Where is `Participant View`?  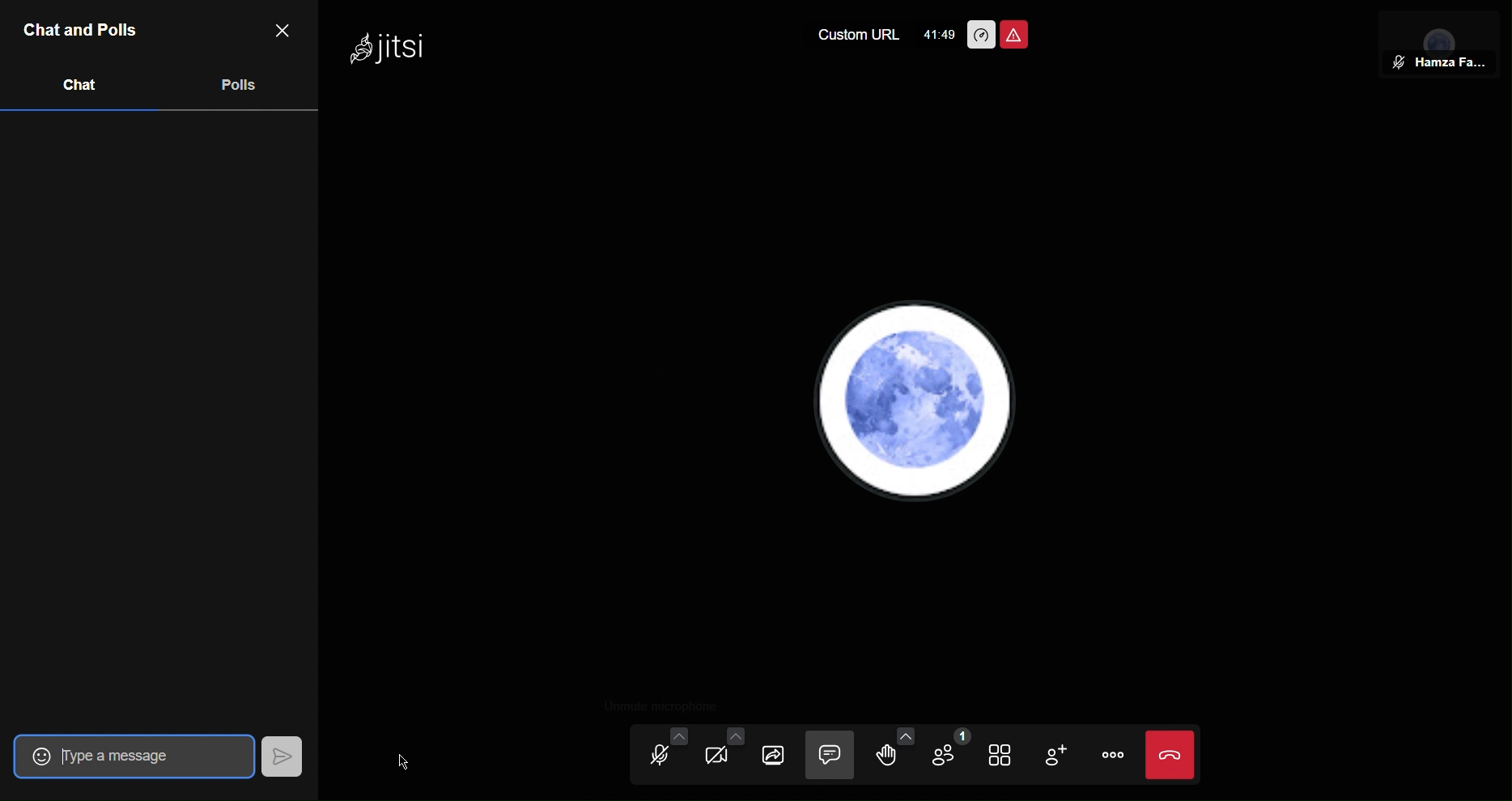
Participant View is located at coordinates (1438, 39).